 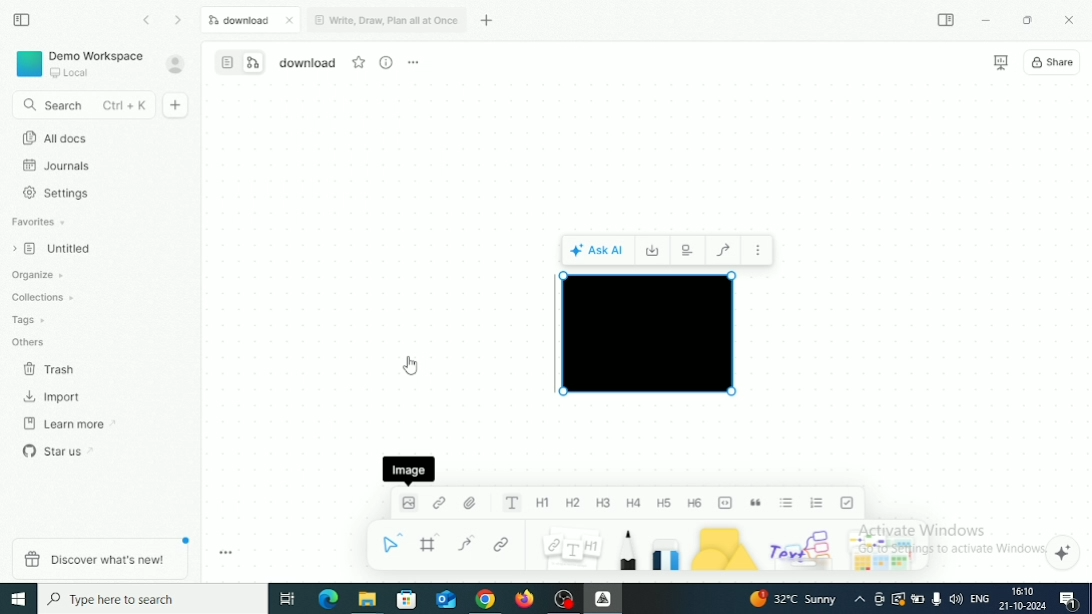 What do you see at coordinates (634, 504) in the screenshot?
I see `Heading  4` at bounding box center [634, 504].